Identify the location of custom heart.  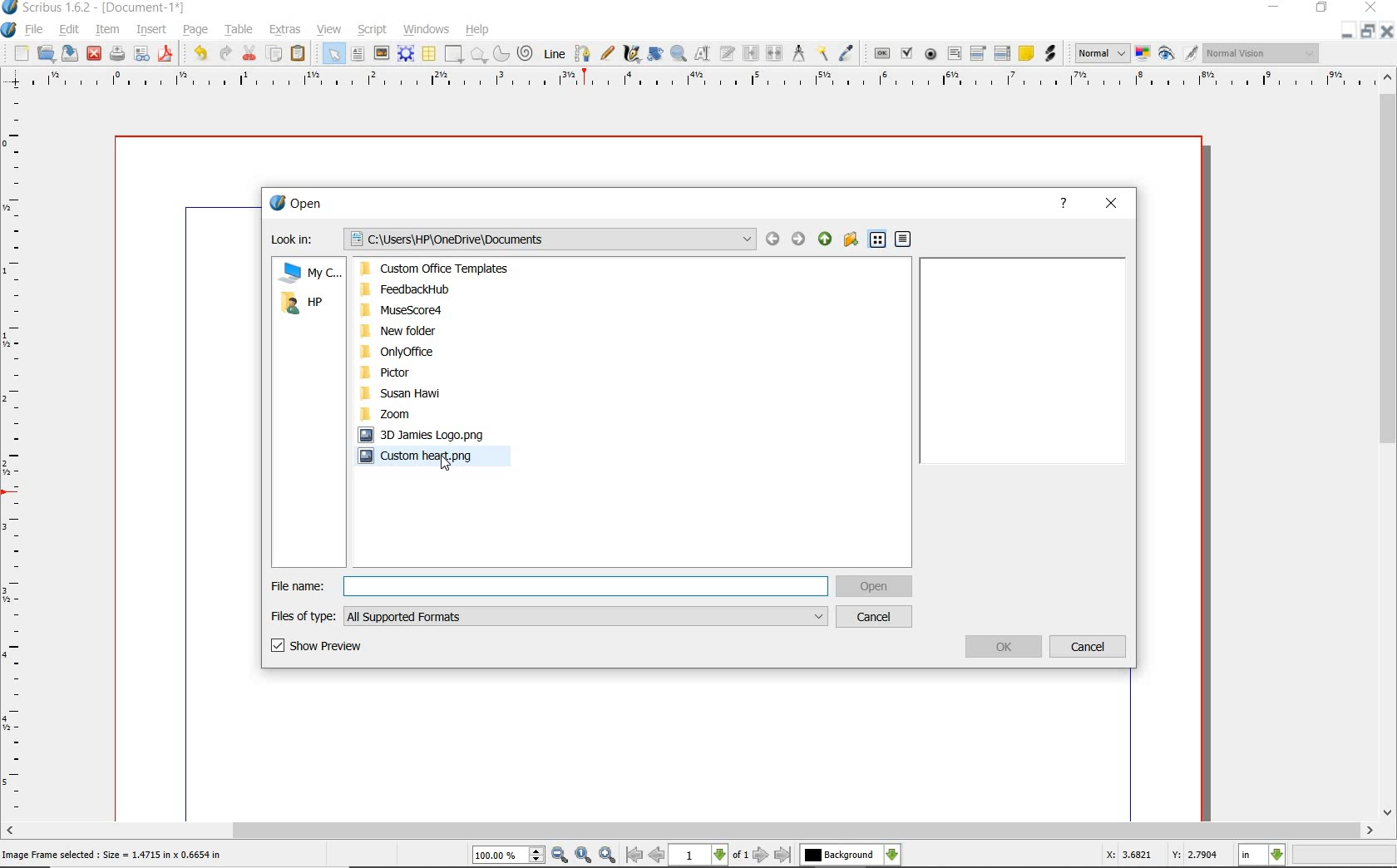
(427, 458).